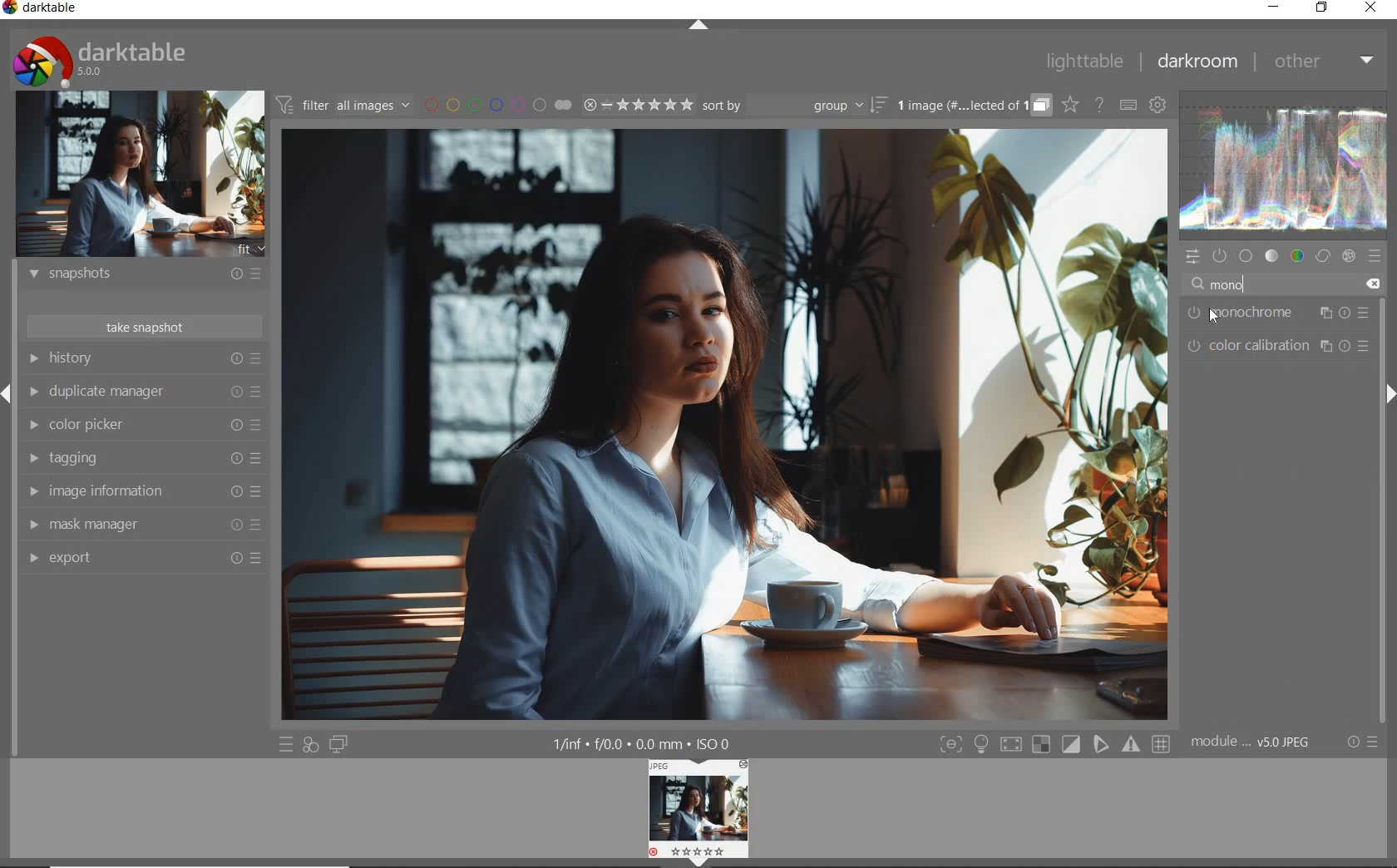 This screenshot has width=1397, height=868. What do you see at coordinates (1370, 7) in the screenshot?
I see `close` at bounding box center [1370, 7].